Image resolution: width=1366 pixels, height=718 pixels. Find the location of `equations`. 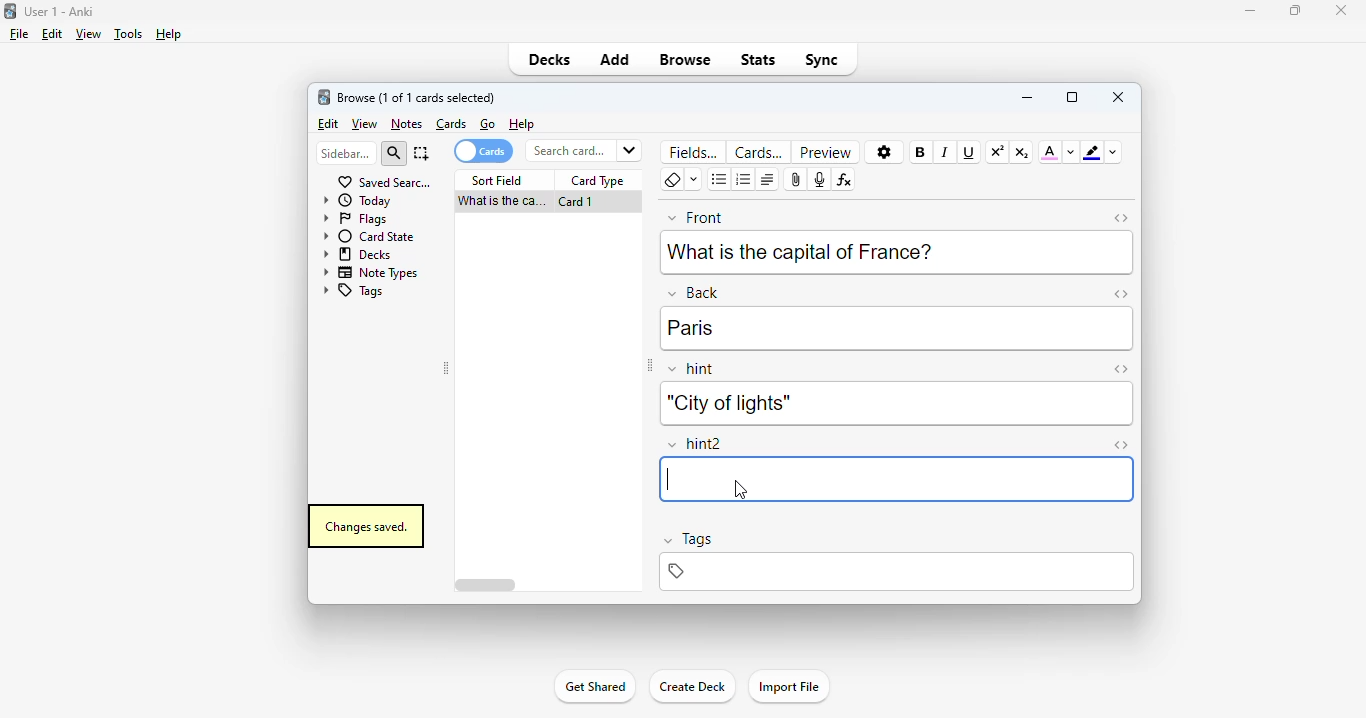

equations is located at coordinates (843, 180).